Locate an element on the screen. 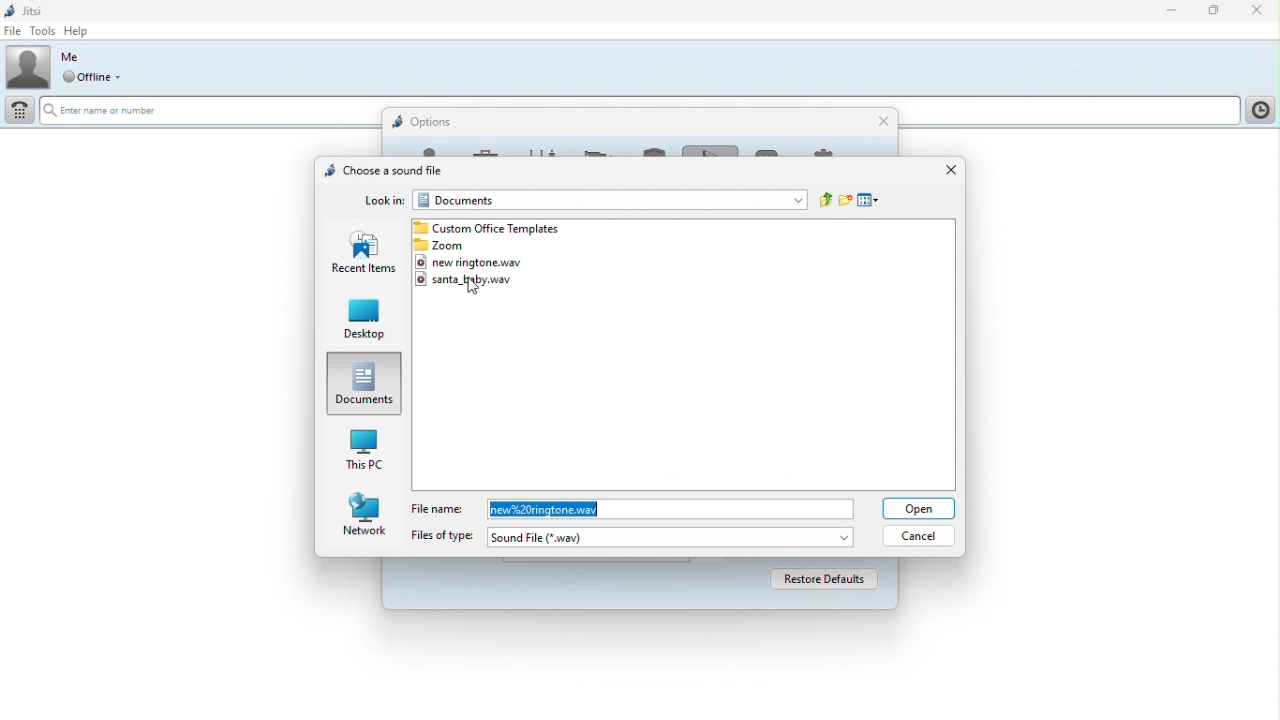  file name is located at coordinates (669, 509).